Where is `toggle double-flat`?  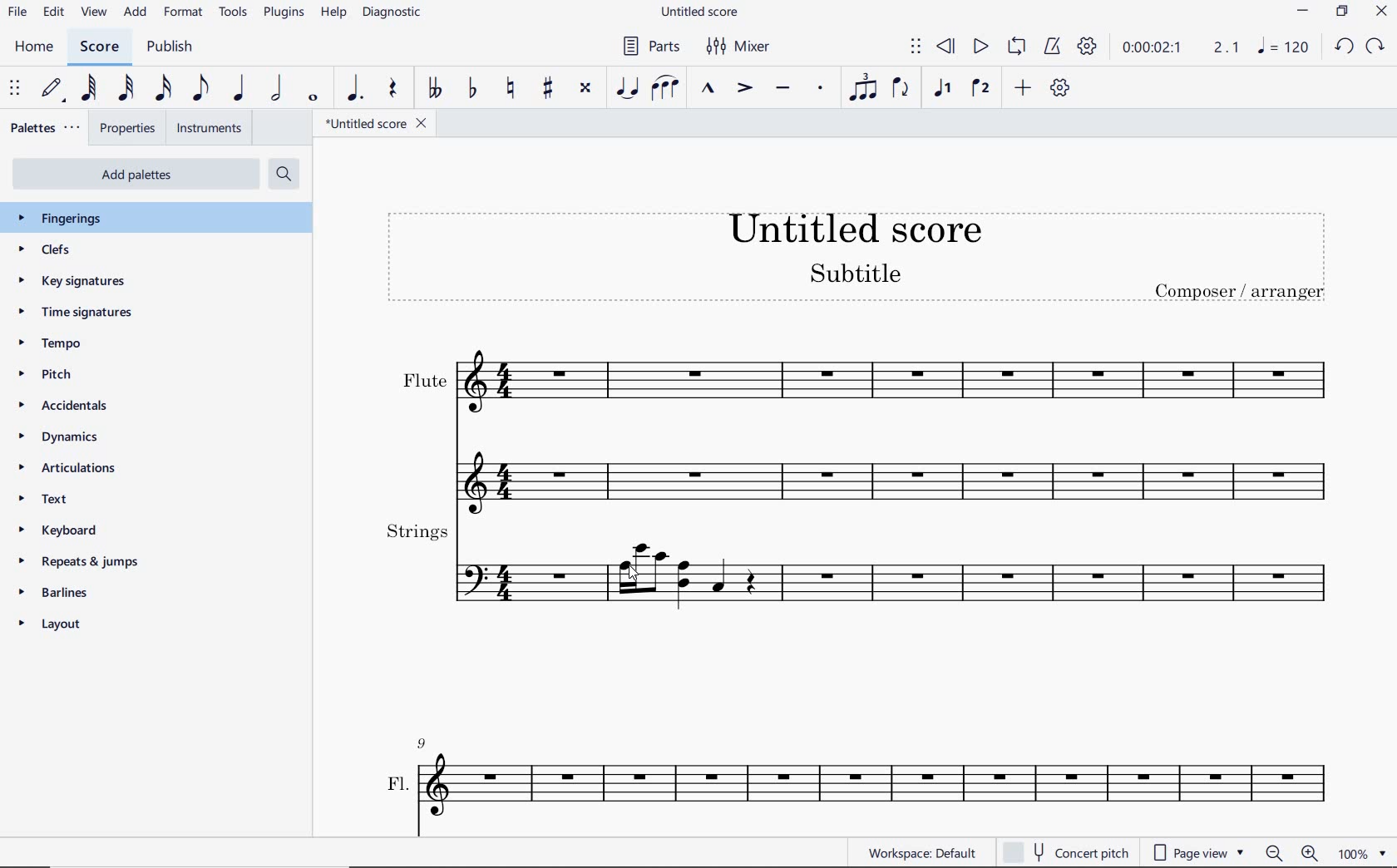 toggle double-flat is located at coordinates (433, 87).